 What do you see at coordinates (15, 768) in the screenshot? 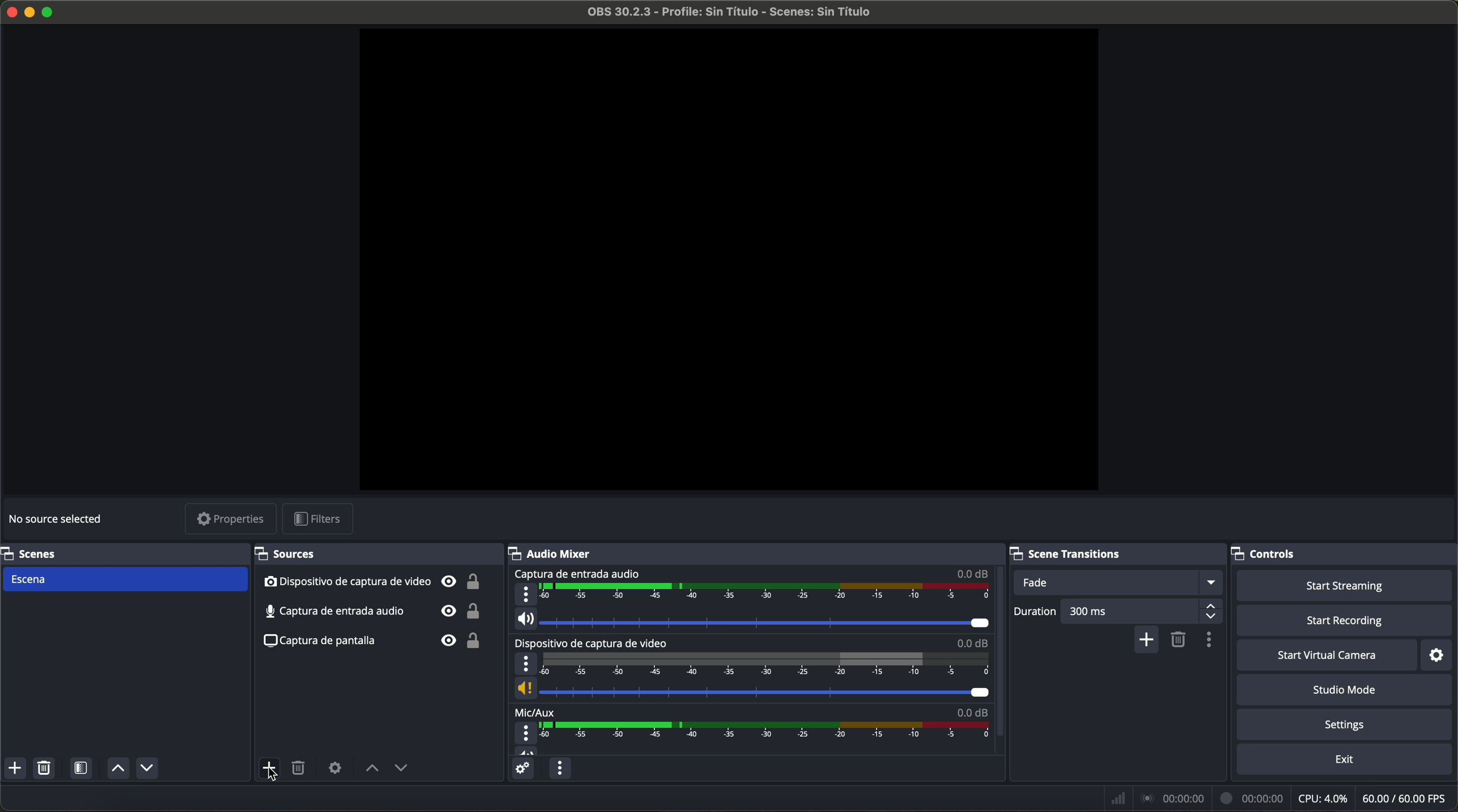
I see `add scene` at bounding box center [15, 768].